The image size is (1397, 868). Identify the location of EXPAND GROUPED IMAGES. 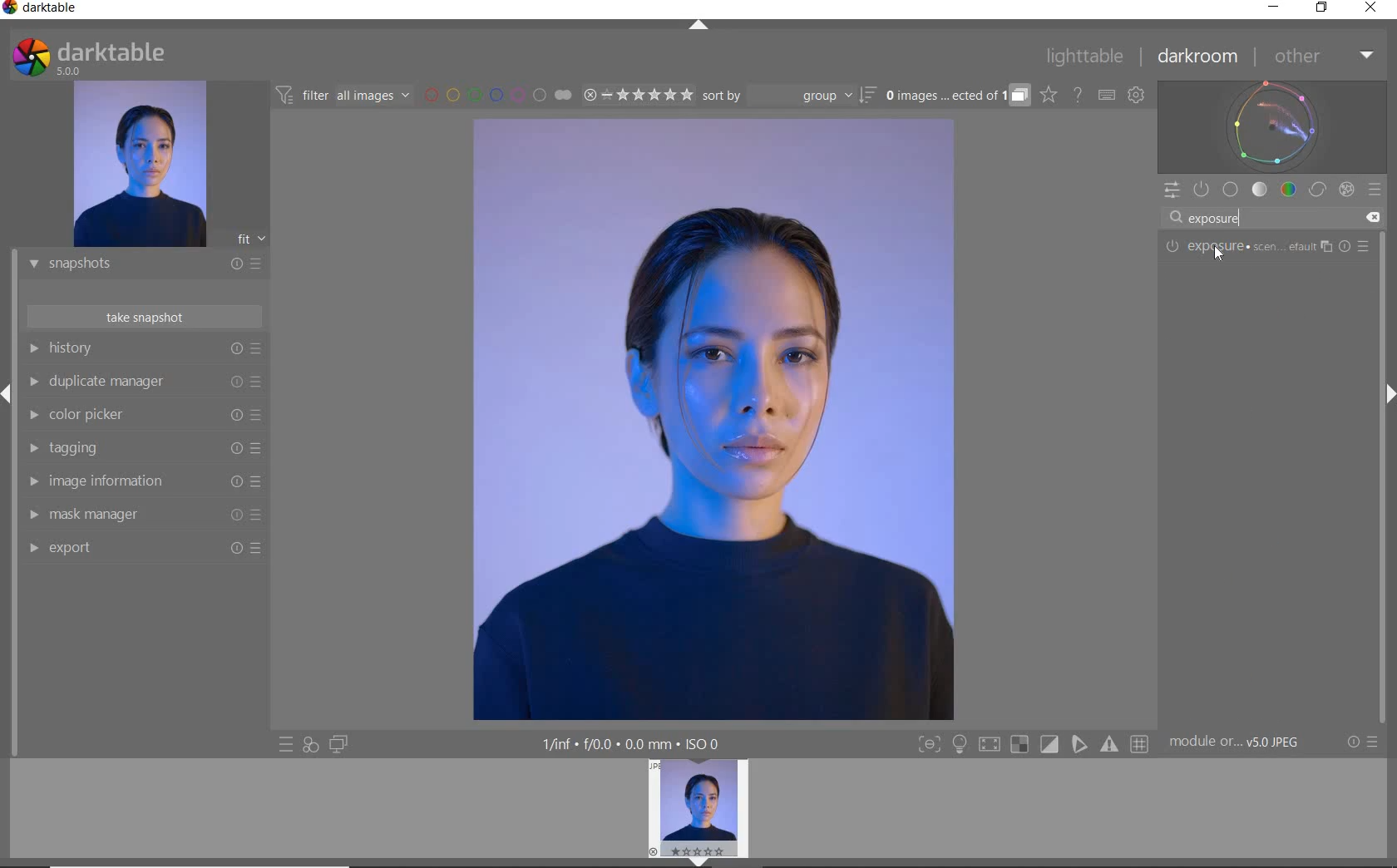
(957, 96).